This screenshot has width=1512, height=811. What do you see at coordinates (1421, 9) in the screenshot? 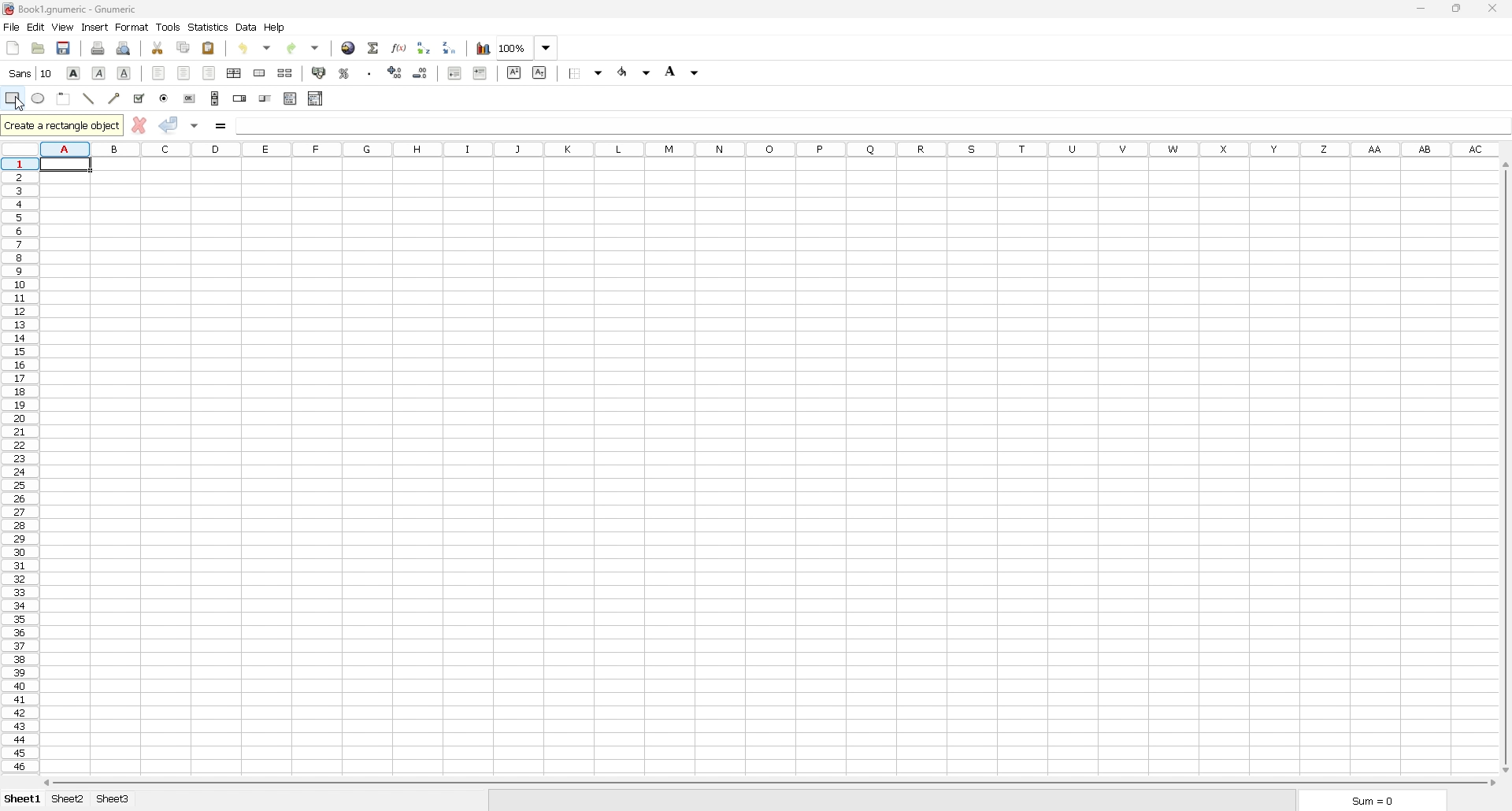
I see `minimize` at bounding box center [1421, 9].